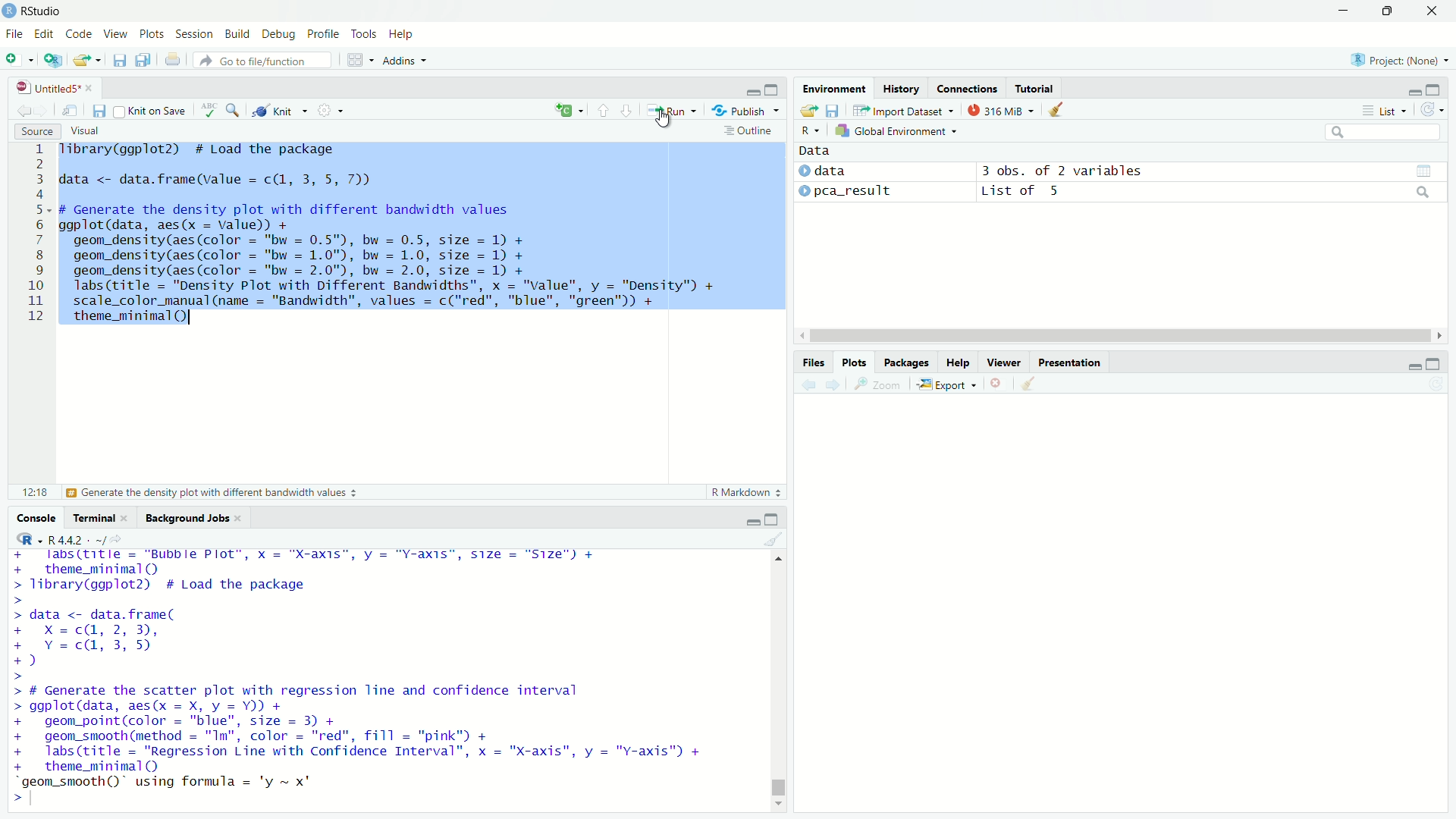  Describe the element at coordinates (32, 11) in the screenshot. I see `RStudio` at that location.